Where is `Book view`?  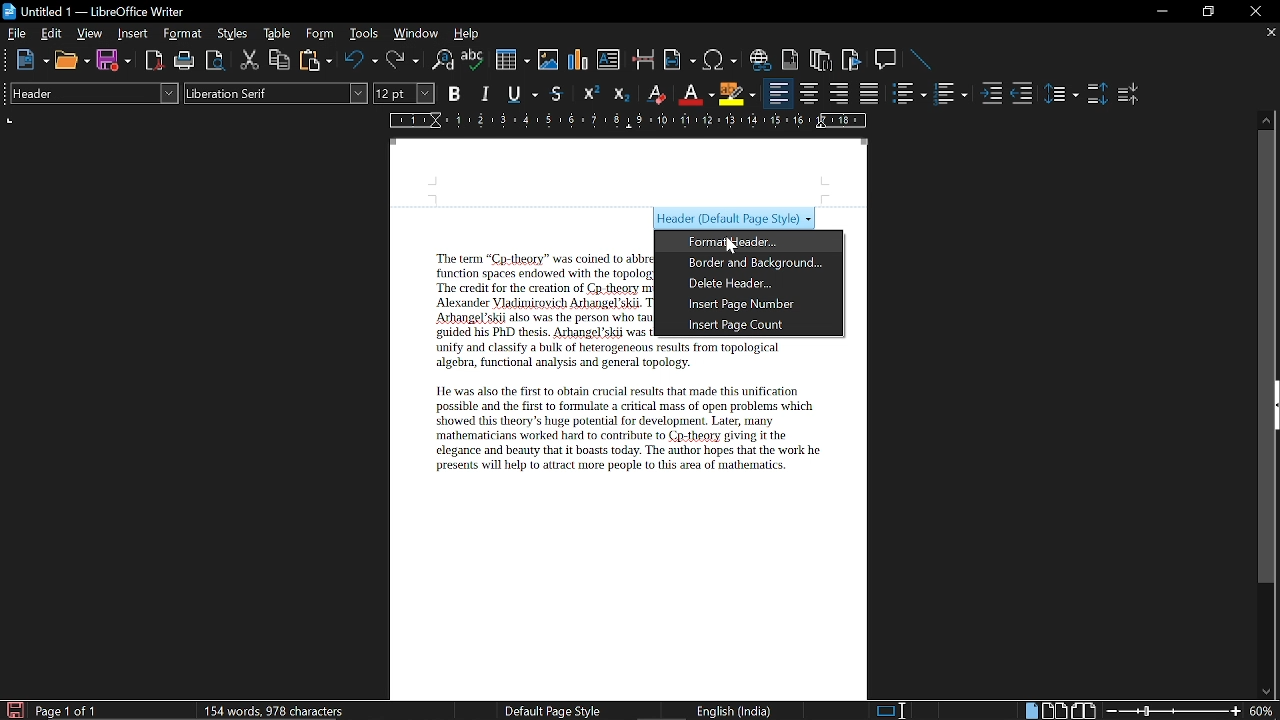 Book view is located at coordinates (1086, 710).